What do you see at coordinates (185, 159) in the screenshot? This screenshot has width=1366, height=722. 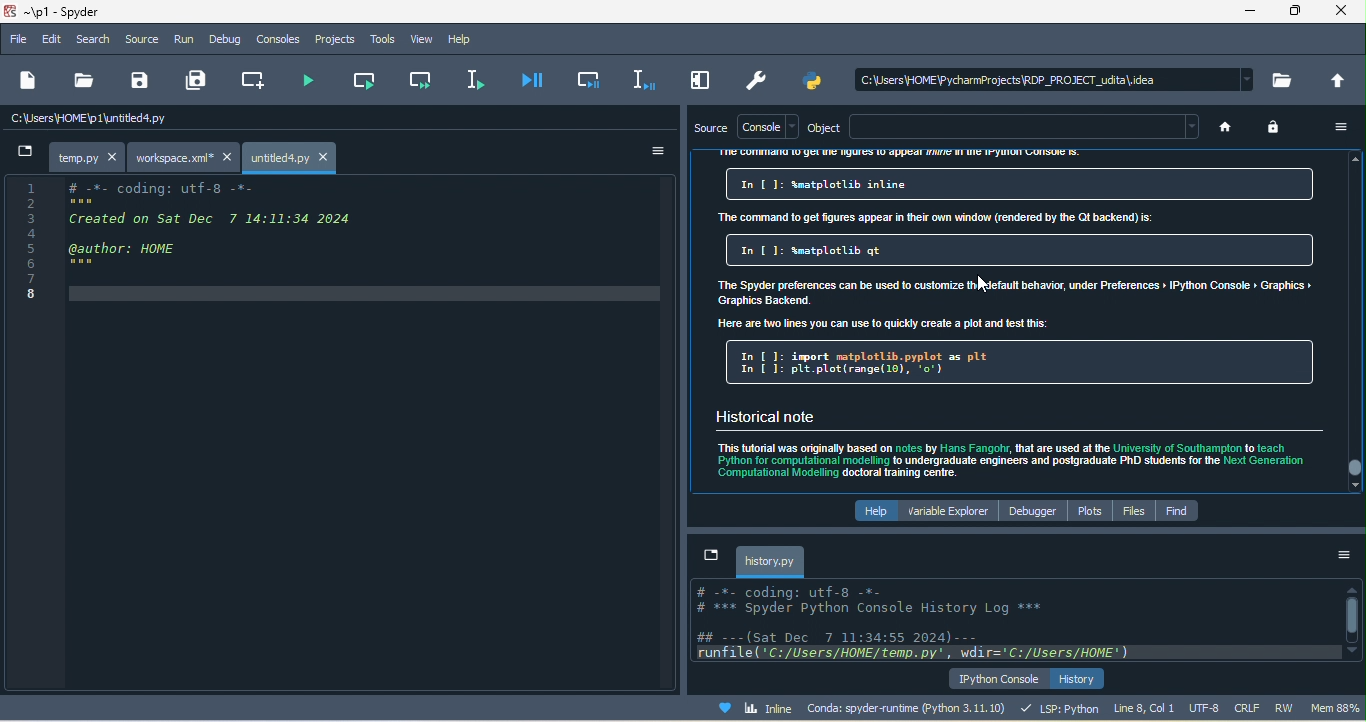 I see `workspace` at bounding box center [185, 159].